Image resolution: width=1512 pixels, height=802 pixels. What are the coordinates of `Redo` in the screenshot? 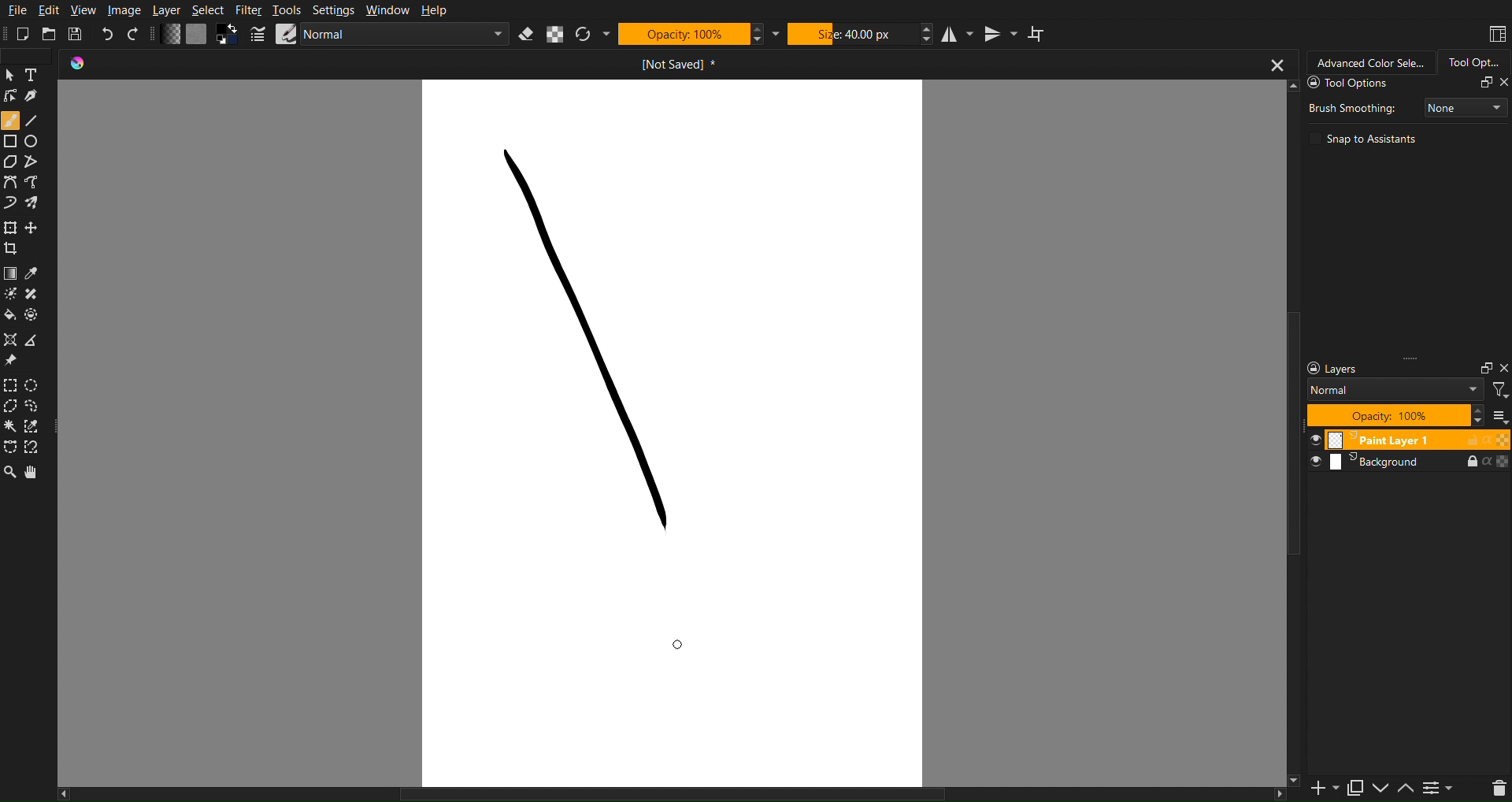 It's located at (135, 34).